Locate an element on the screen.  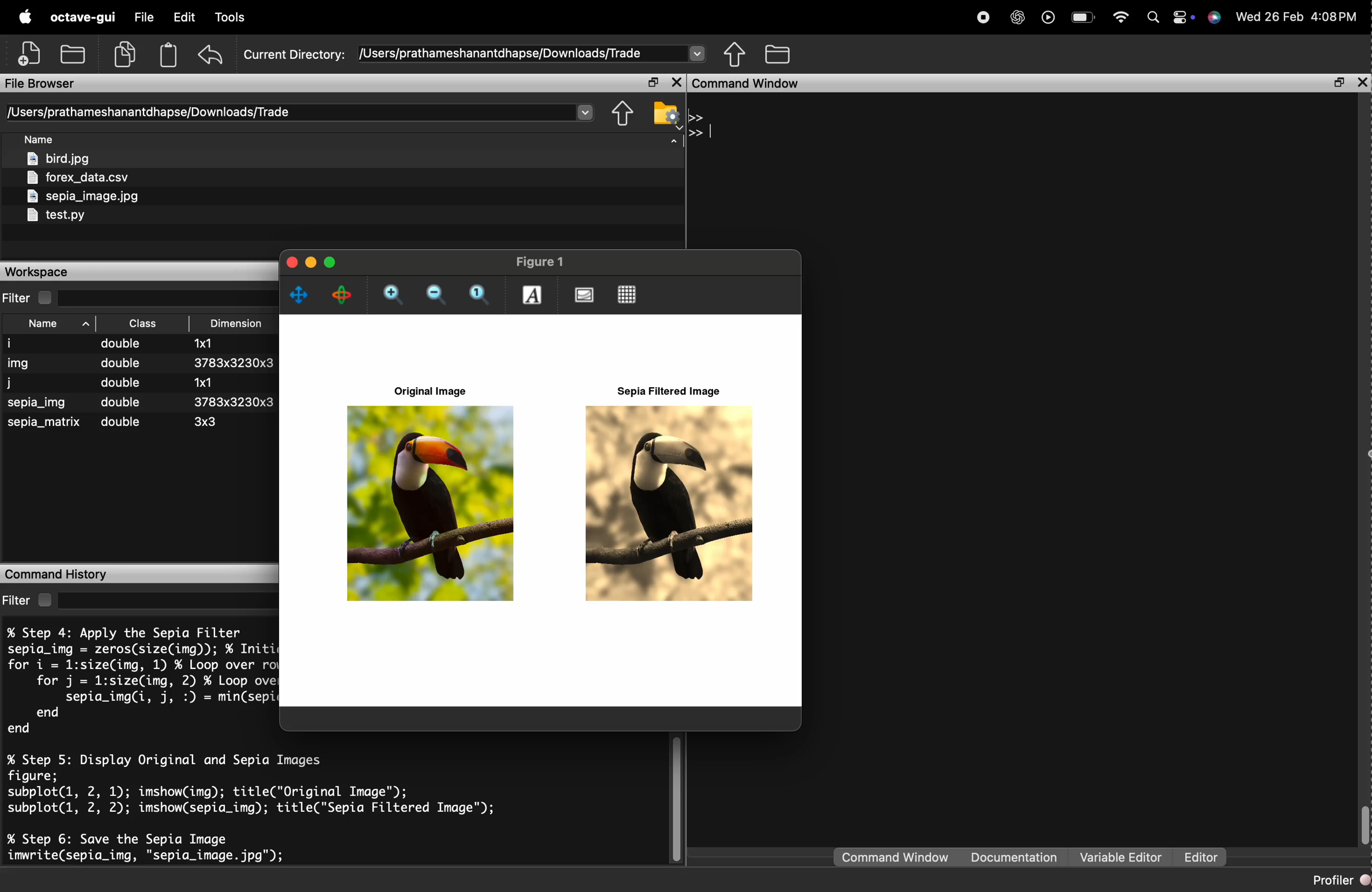
>> >> is located at coordinates (696, 126).